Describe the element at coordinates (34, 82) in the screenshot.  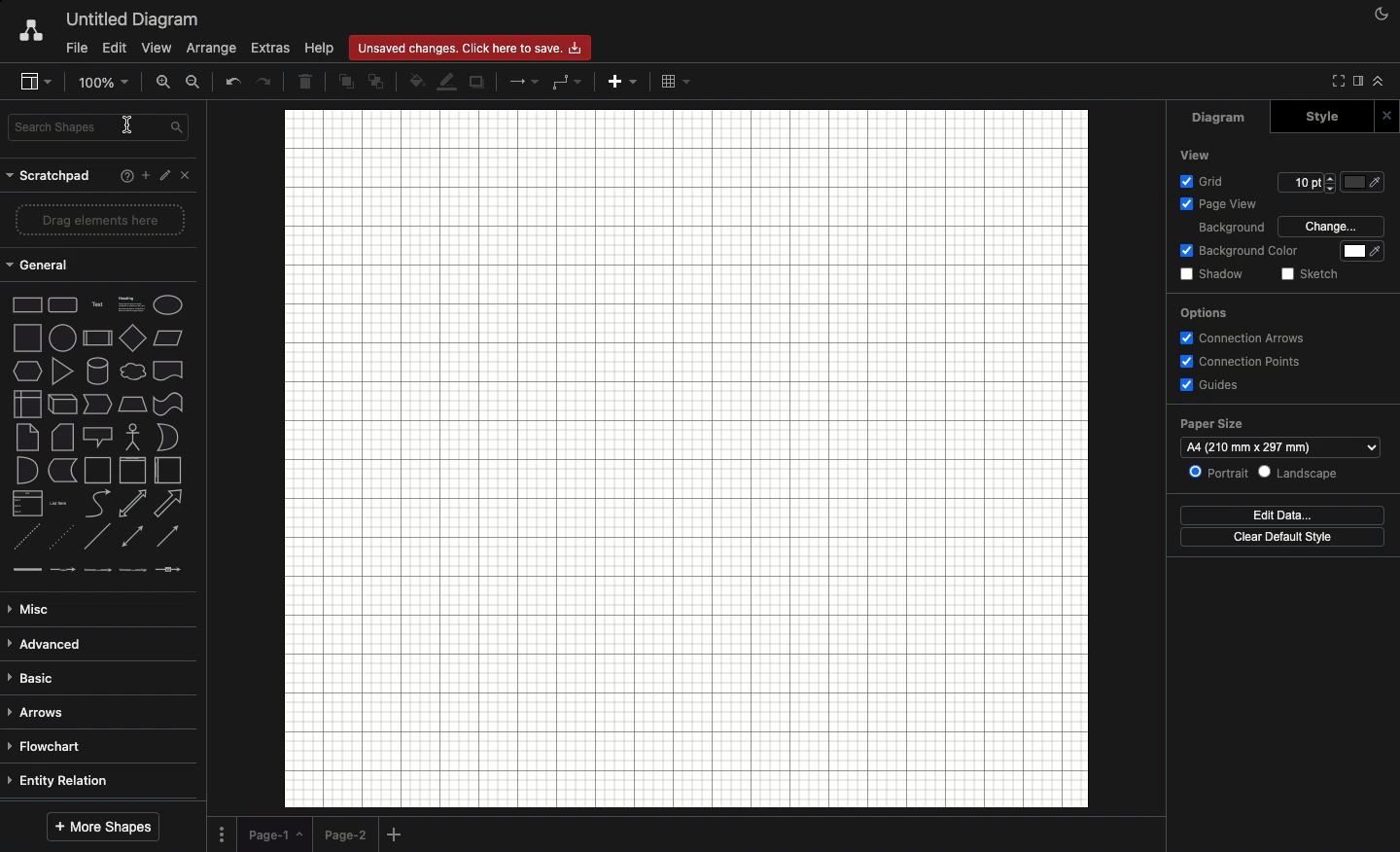
I see `Sidebar` at that location.